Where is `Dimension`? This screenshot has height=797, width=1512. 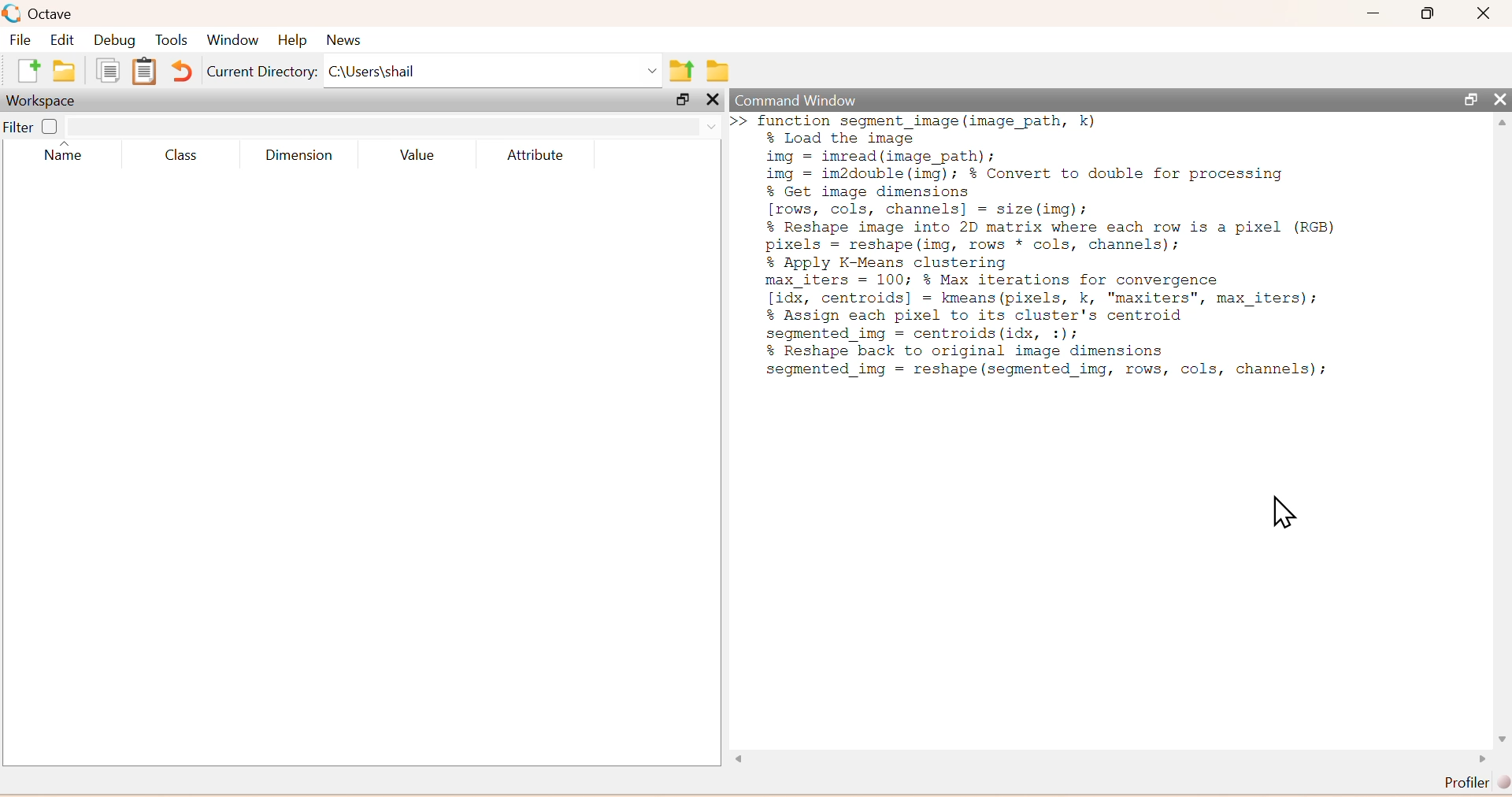
Dimension is located at coordinates (305, 155).